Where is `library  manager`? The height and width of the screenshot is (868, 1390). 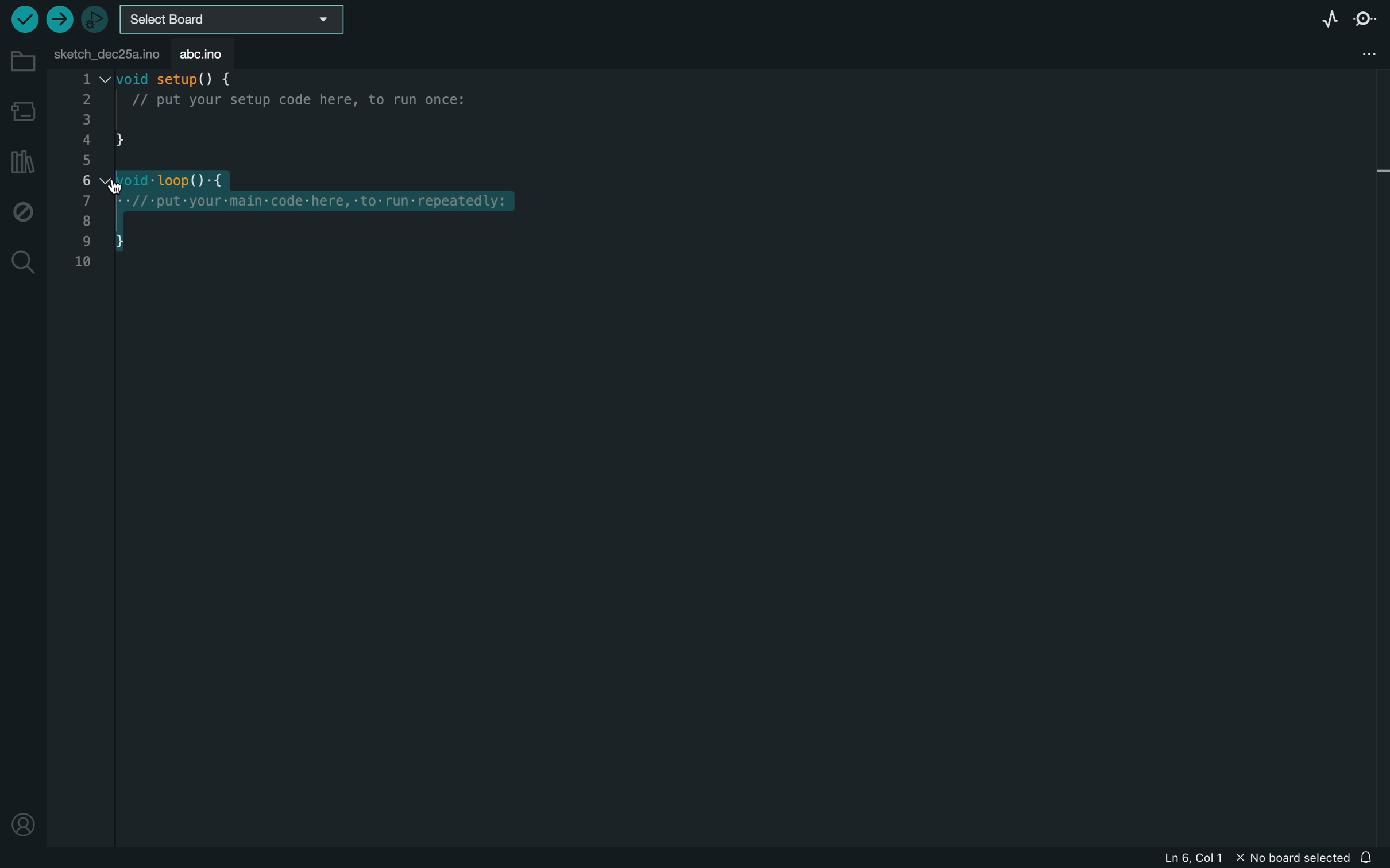 library  manager is located at coordinates (23, 158).